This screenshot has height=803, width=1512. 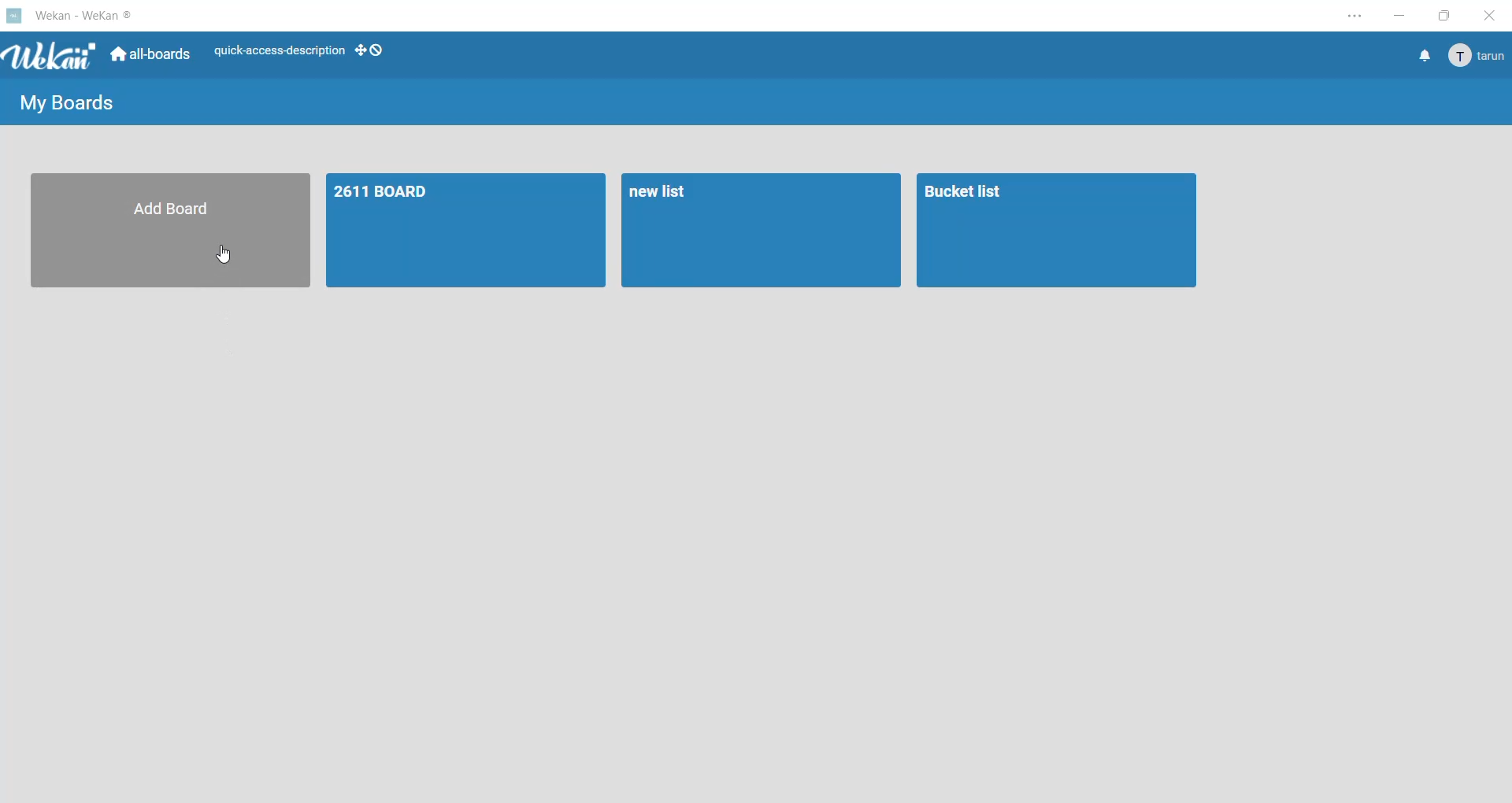 What do you see at coordinates (369, 52) in the screenshot?
I see `show desktop drag handles` at bounding box center [369, 52].